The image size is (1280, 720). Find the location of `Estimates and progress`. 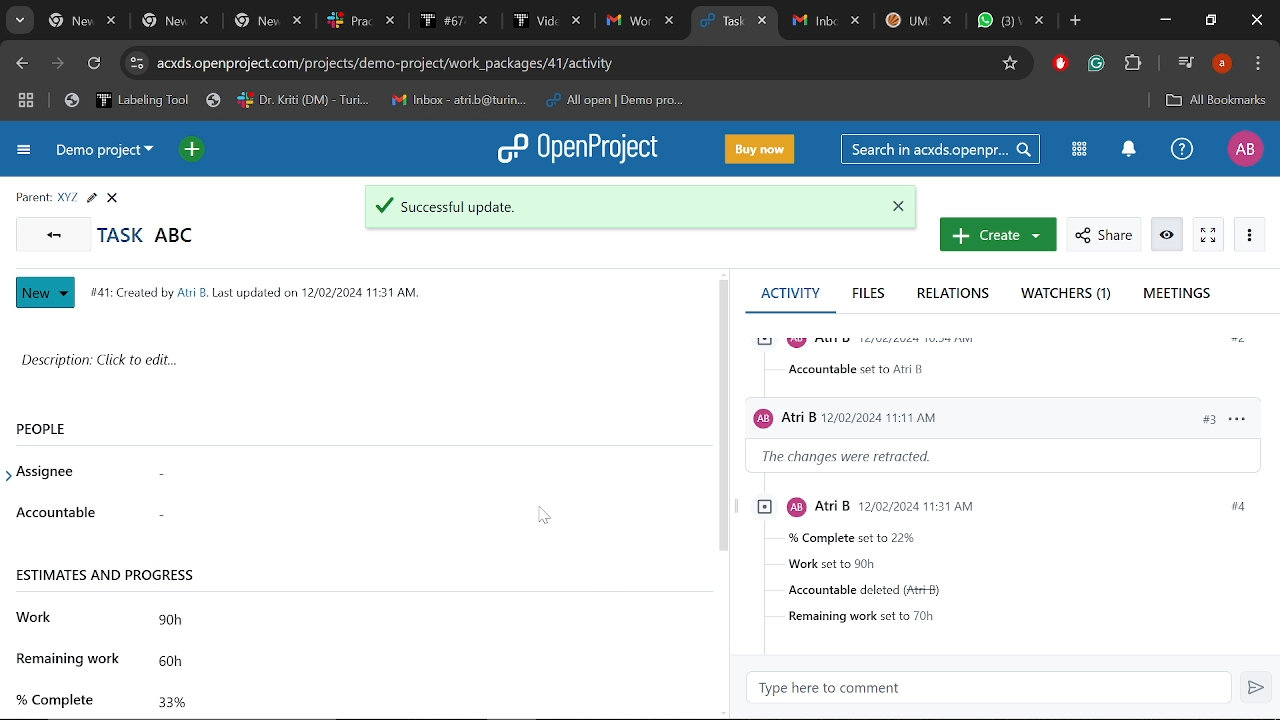

Estimates and progress is located at coordinates (129, 572).